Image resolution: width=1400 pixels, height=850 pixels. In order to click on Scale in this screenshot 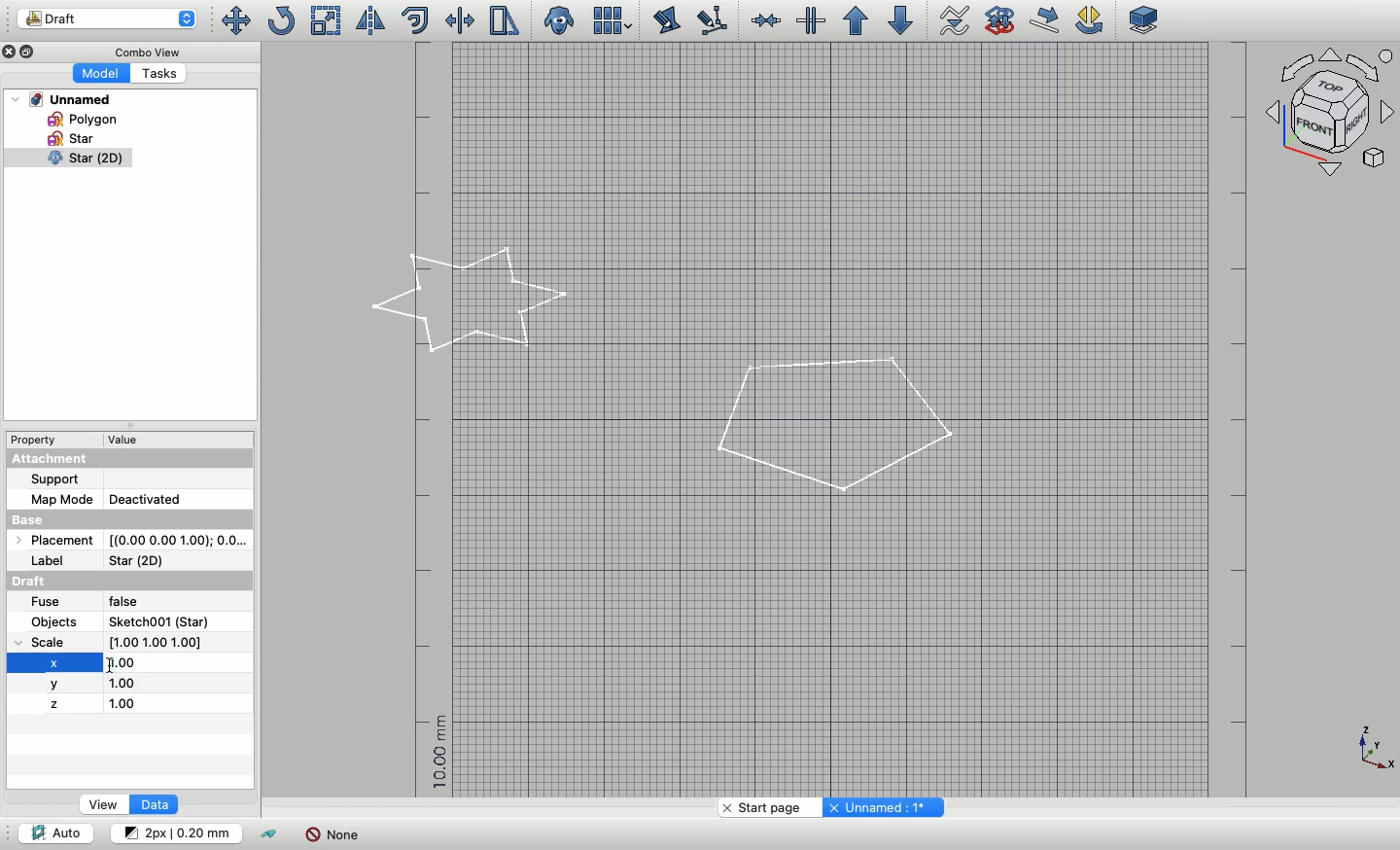, I will do `click(47, 642)`.